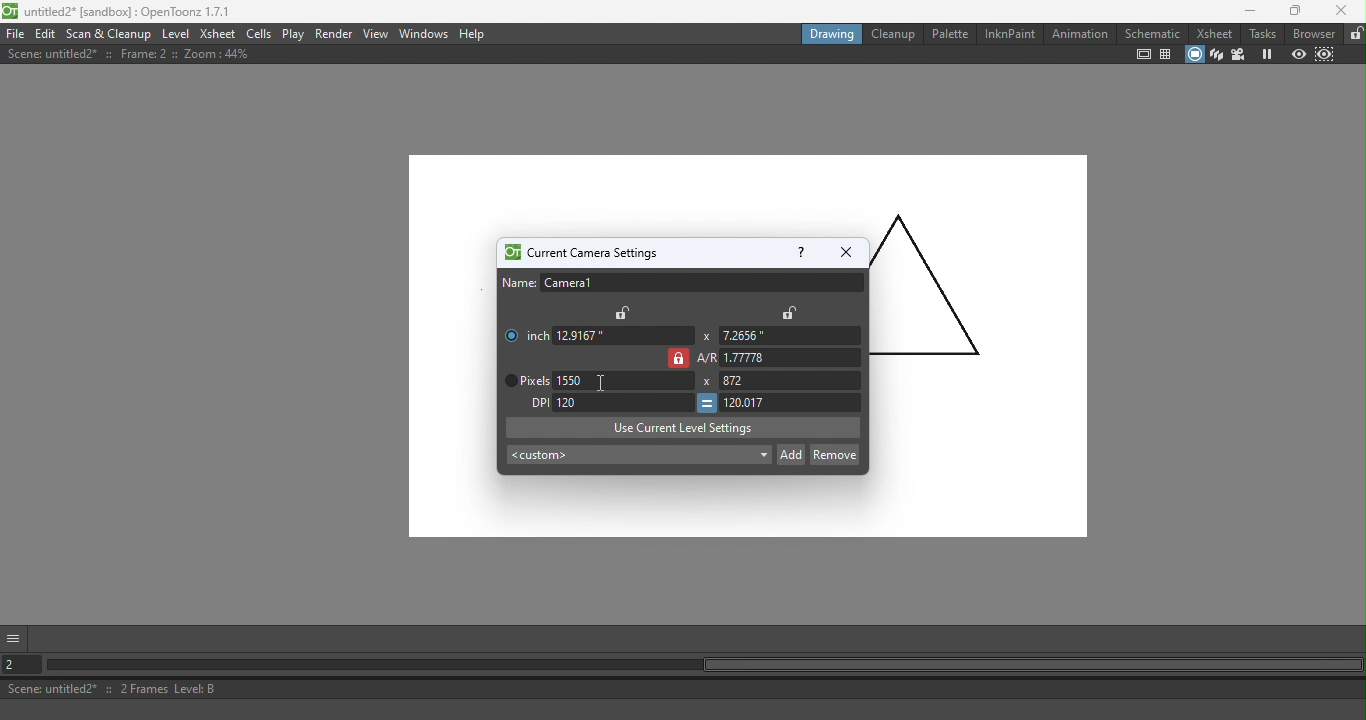 Image resolution: width=1366 pixels, height=720 pixels. Describe the element at coordinates (1341, 11) in the screenshot. I see `Close` at that location.